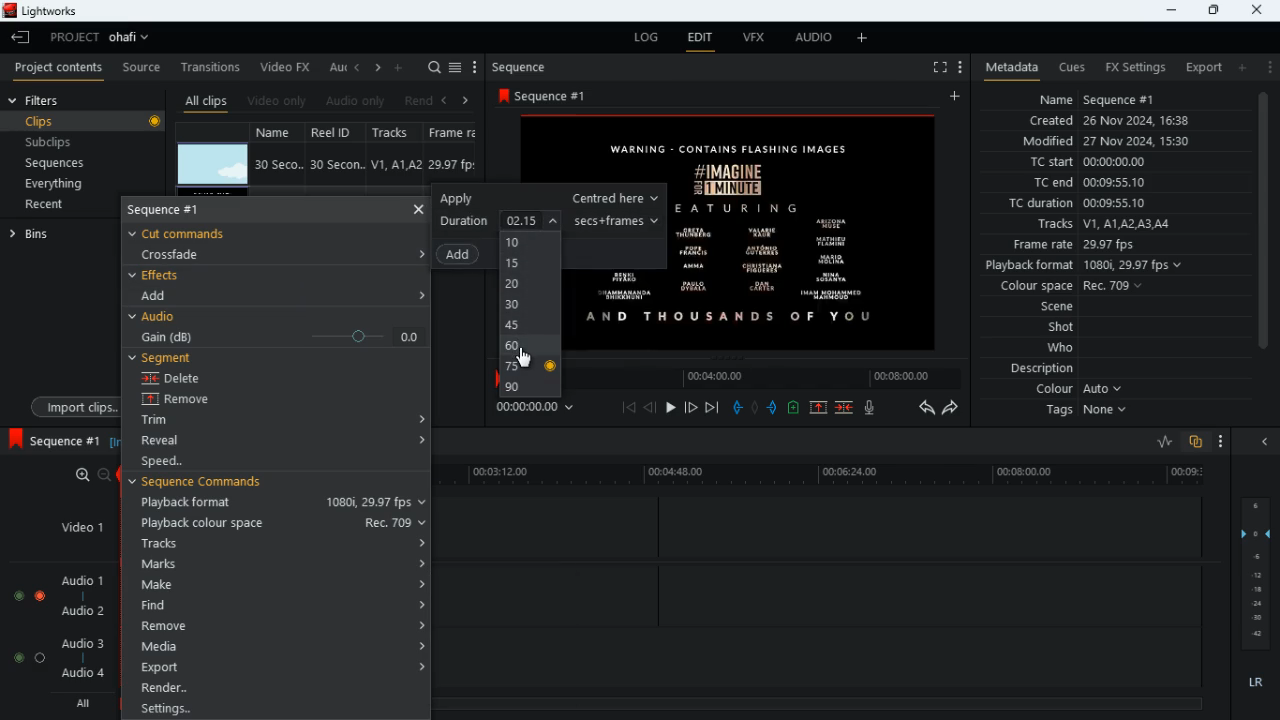 This screenshot has height=720, width=1280. I want to click on toggle, so click(17, 593).